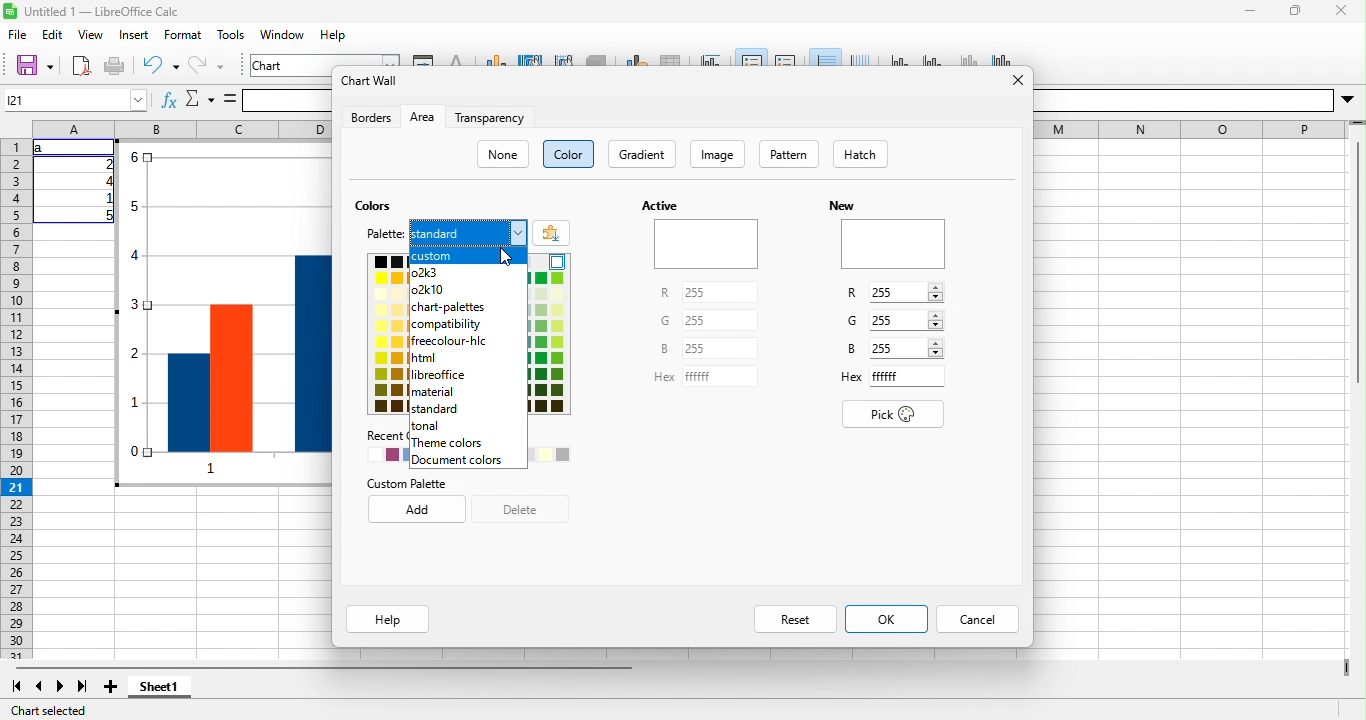 The image size is (1366, 720). I want to click on Cell name box, so click(76, 100).